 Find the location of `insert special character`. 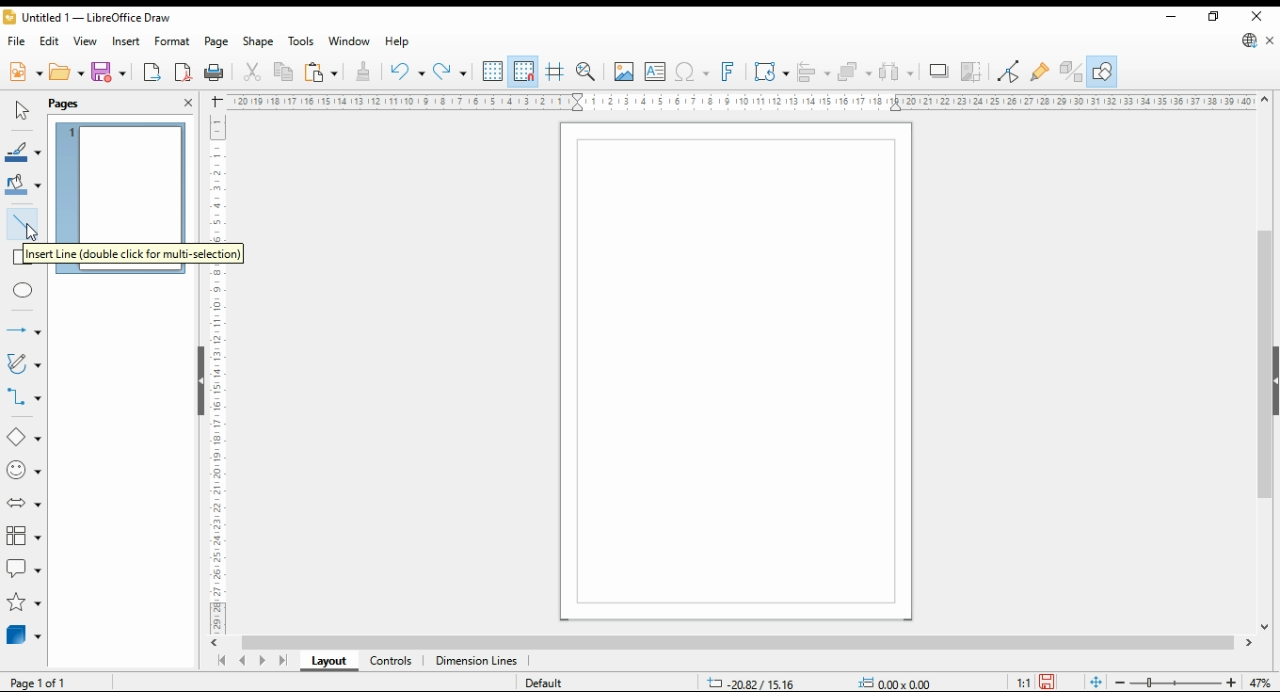

insert special character is located at coordinates (690, 72).